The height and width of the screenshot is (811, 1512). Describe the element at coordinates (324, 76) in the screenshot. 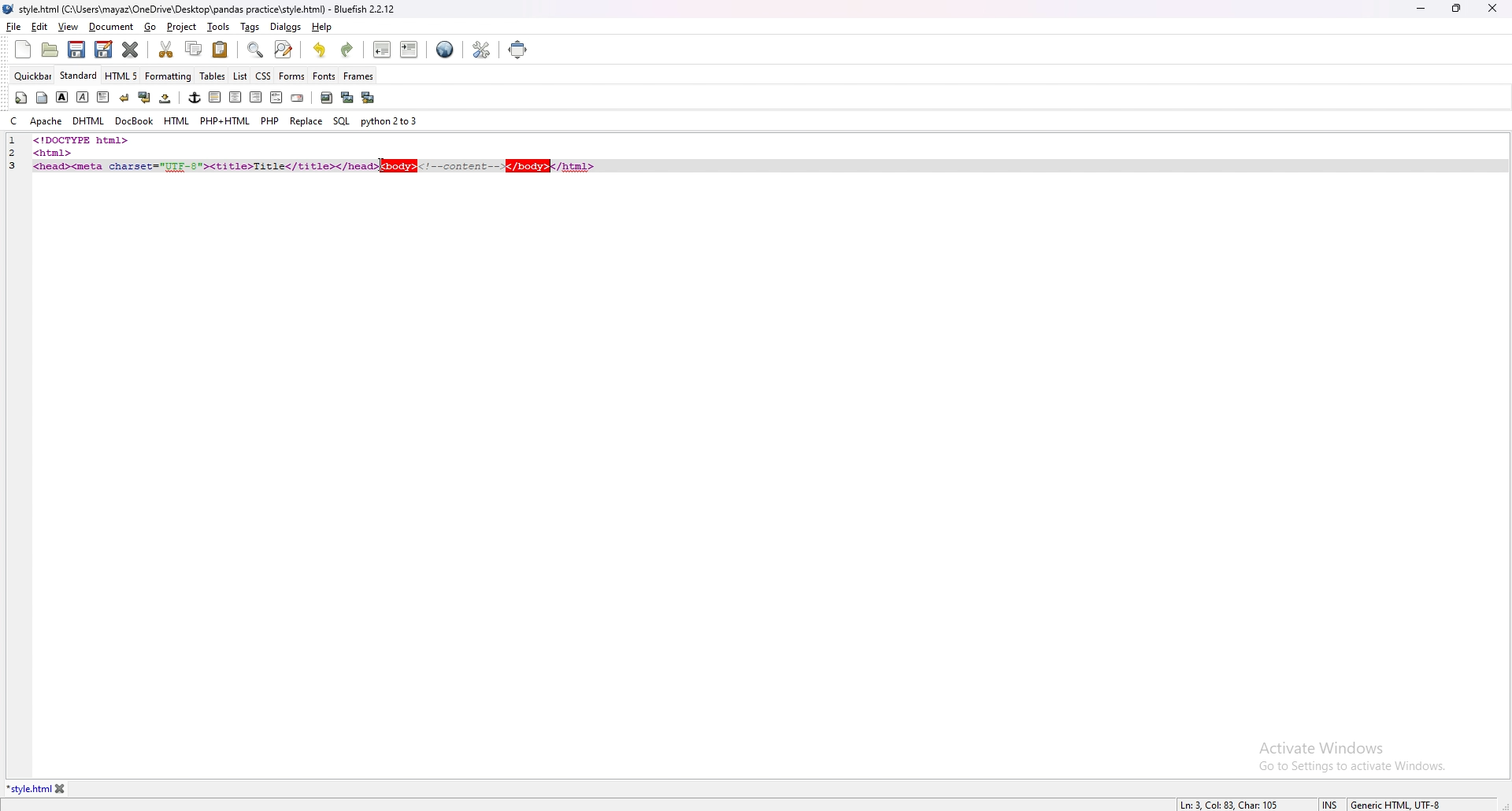

I see `fonts` at that location.